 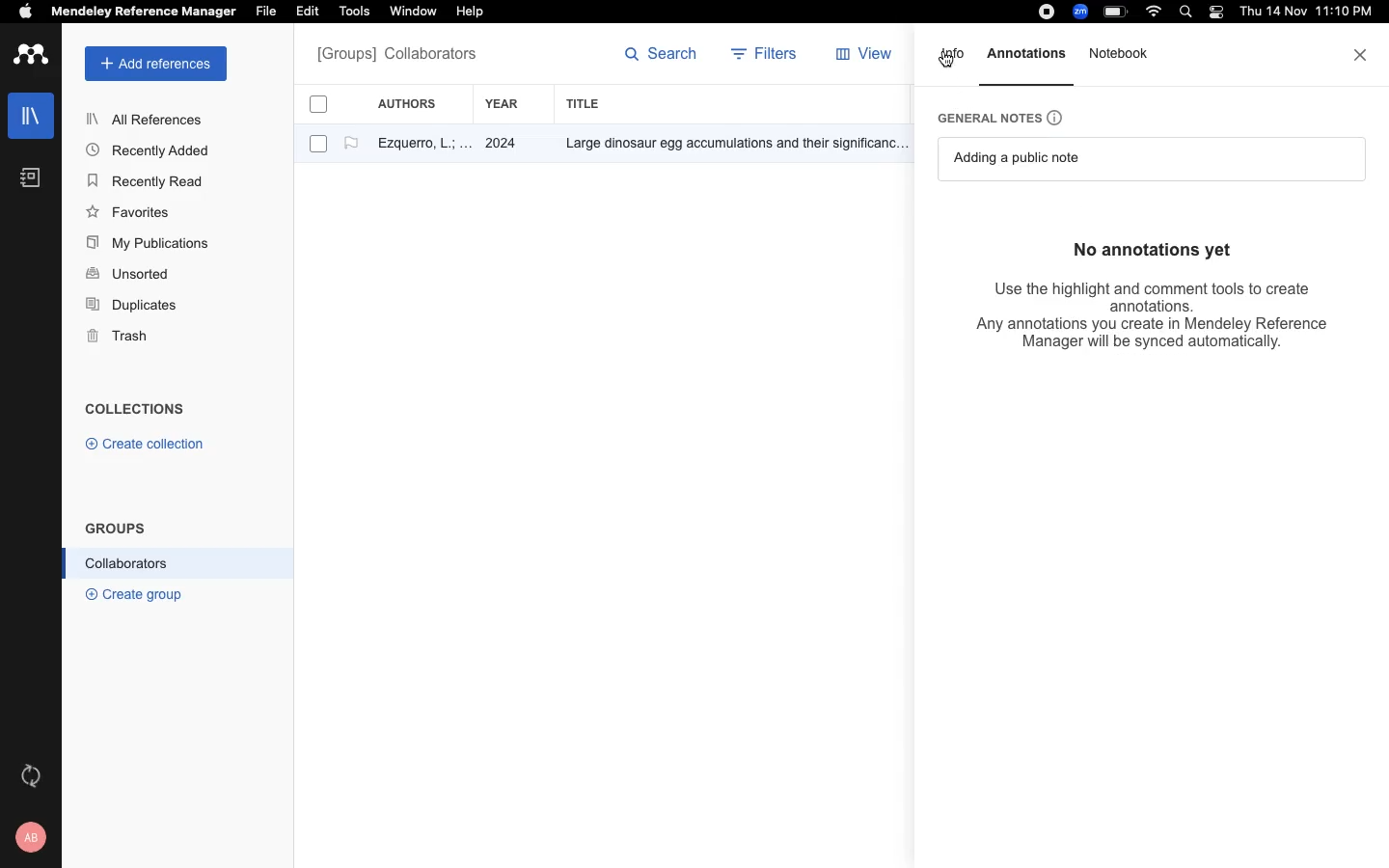 I want to click on Use the highlight and comment tools to create
annotations.
Any annotations you create in Mendeley Reference
Manager will be synced automatically., so click(x=1155, y=313).